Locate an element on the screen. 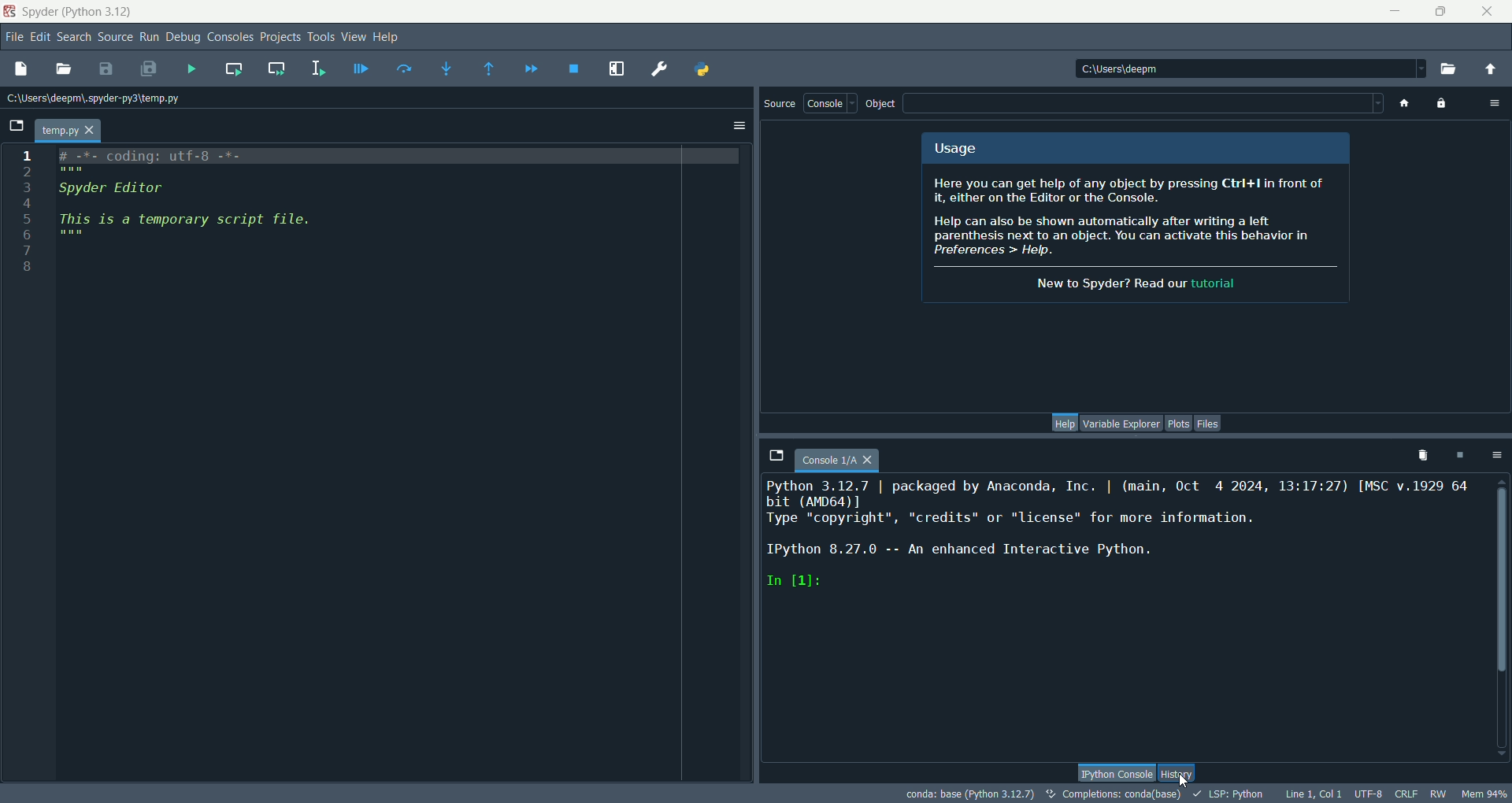  debug files is located at coordinates (360, 71).